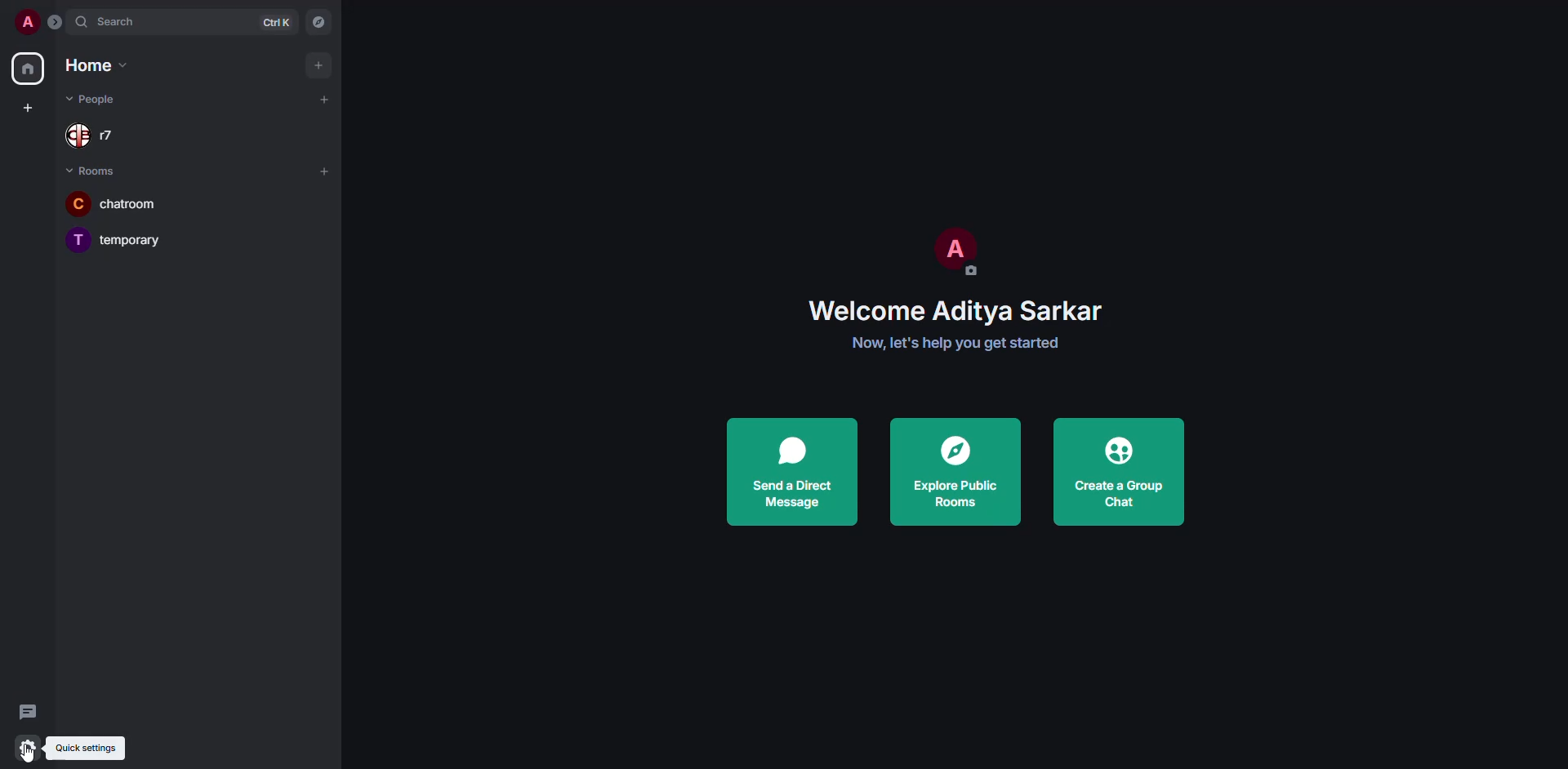 This screenshot has width=1568, height=769. What do you see at coordinates (131, 202) in the screenshot?
I see `chatroom` at bounding box center [131, 202].